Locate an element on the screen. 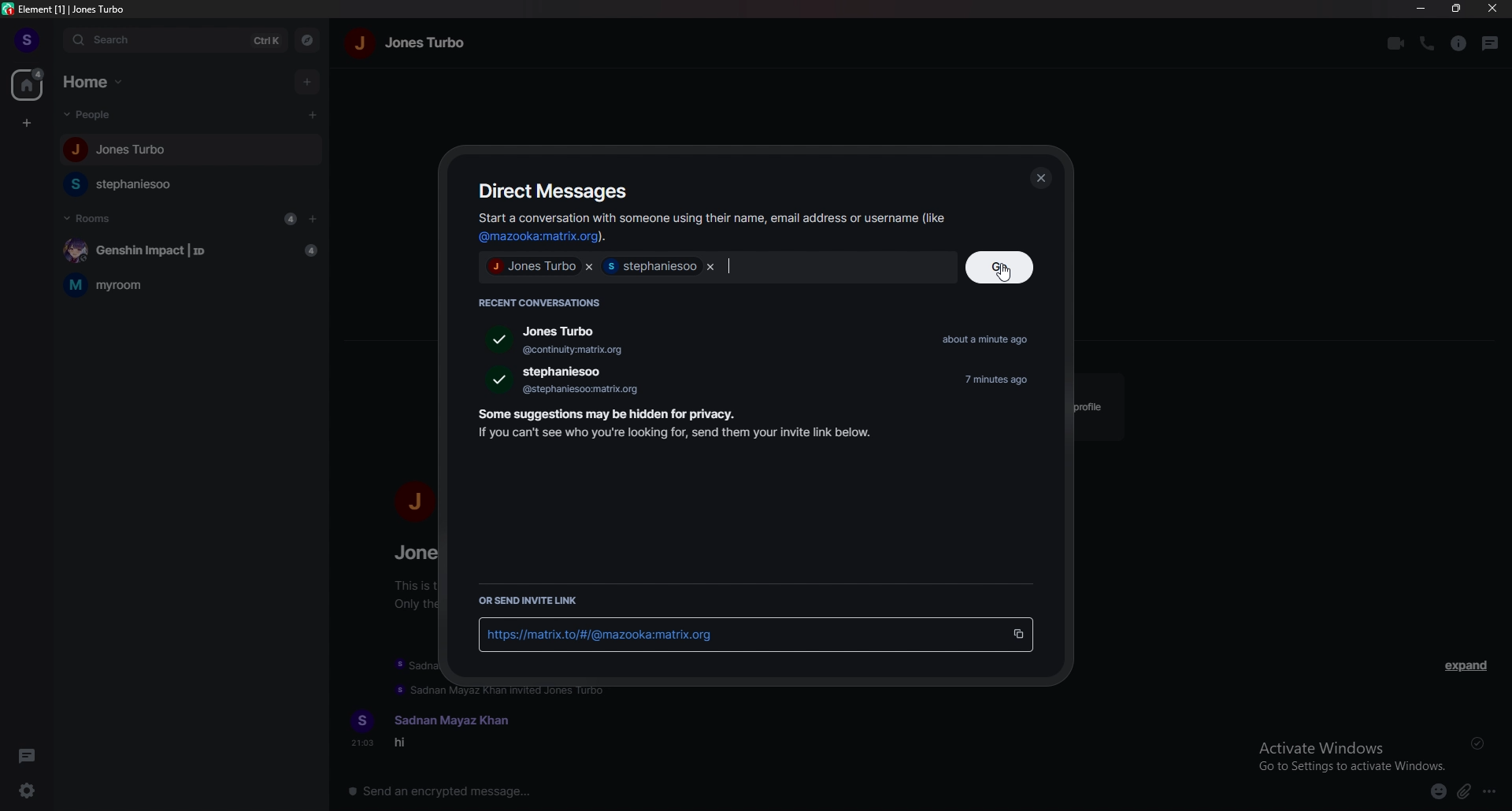 Image resolution: width=1512 pixels, height=811 pixels. remove is located at coordinates (710, 266).